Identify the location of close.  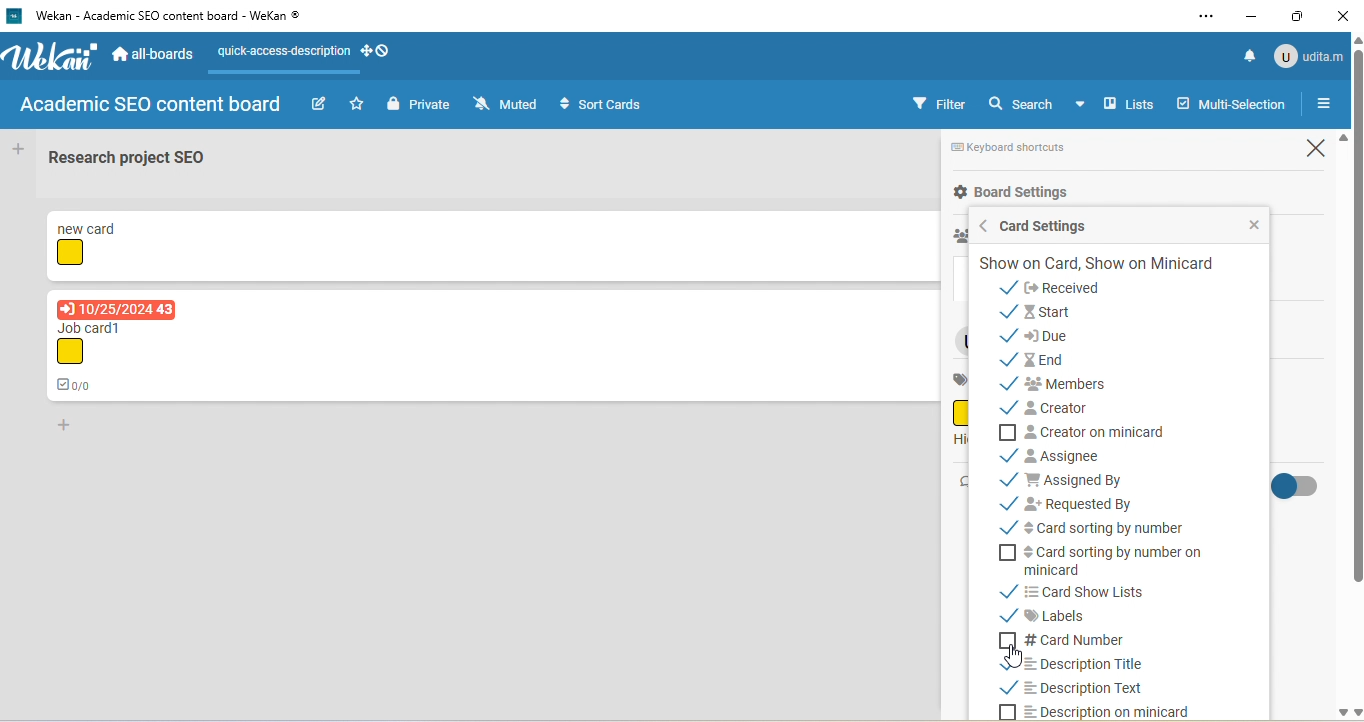
(1310, 150).